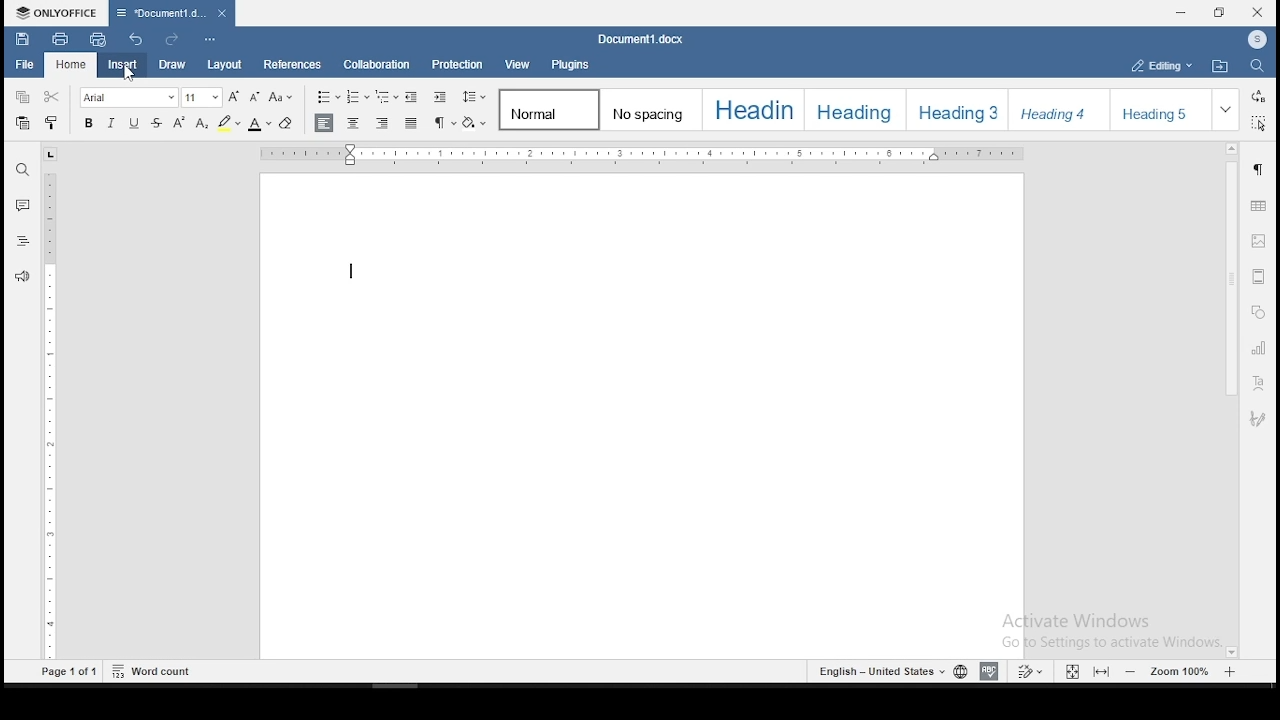 The height and width of the screenshot is (720, 1280). What do you see at coordinates (1166, 109) in the screenshot?
I see `heading option` at bounding box center [1166, 109].